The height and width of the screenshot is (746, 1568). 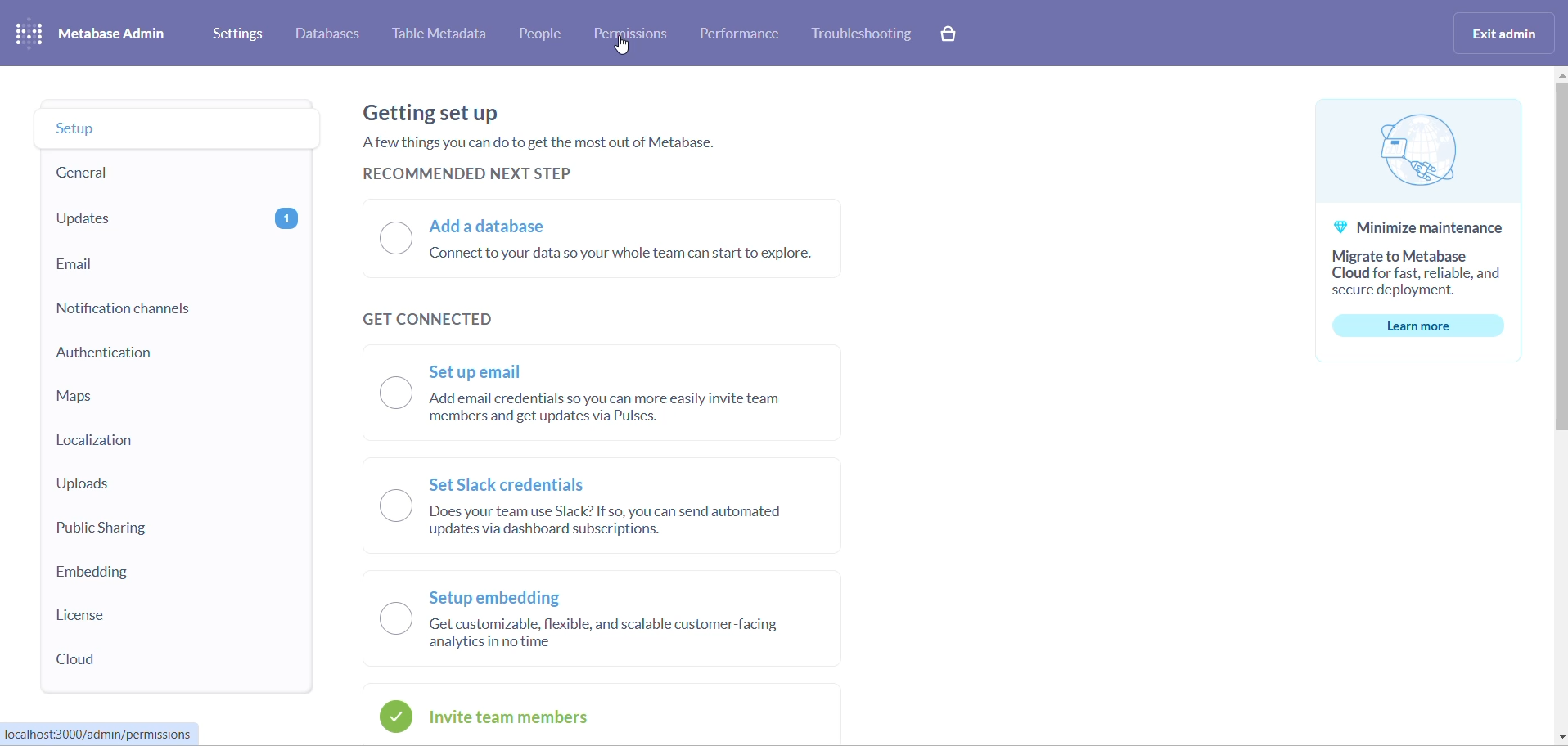 I want to click on databases, so click(x=336, y=36).